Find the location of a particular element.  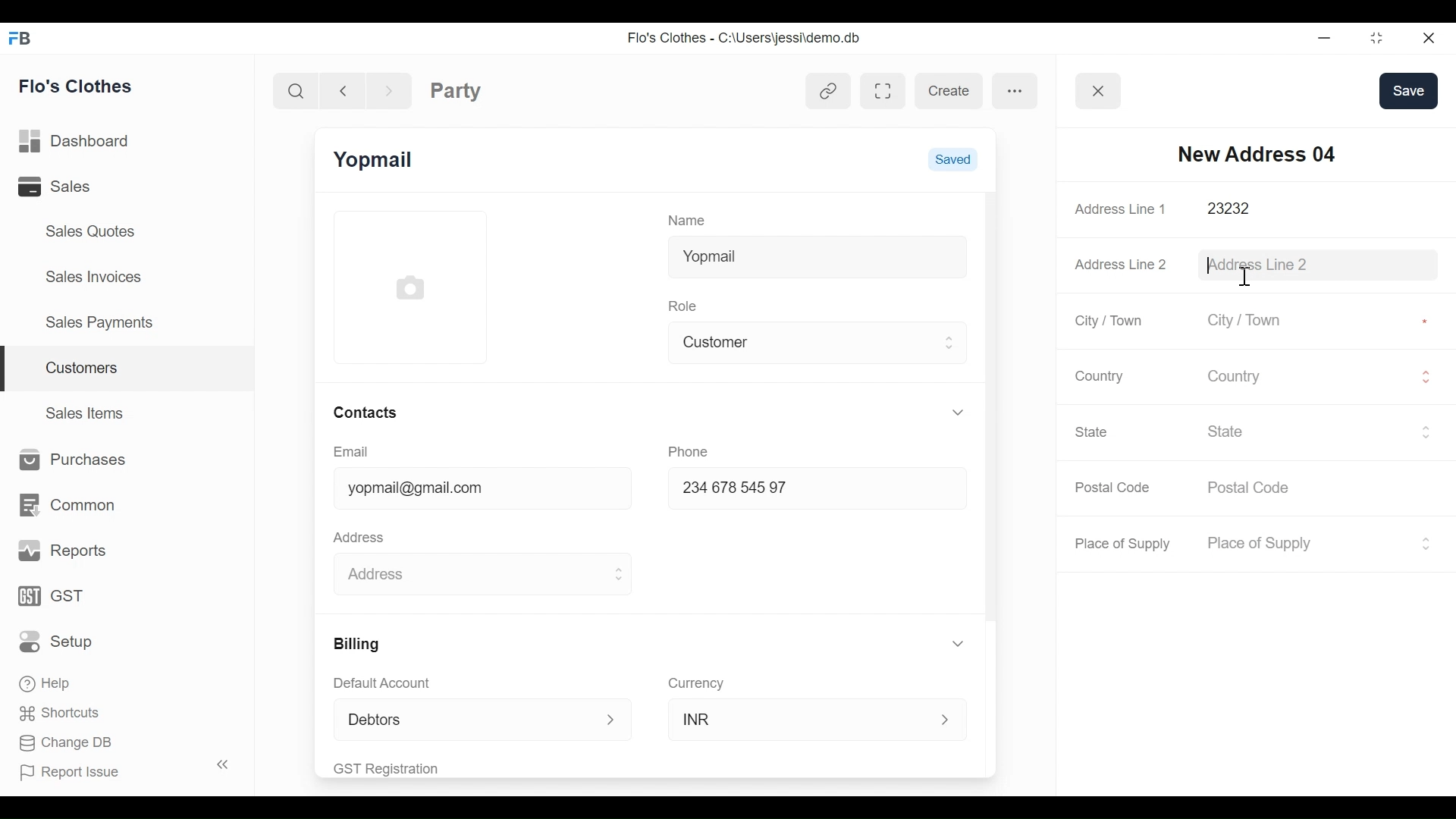

Place of Supply is located at coordinates (1125, 544).